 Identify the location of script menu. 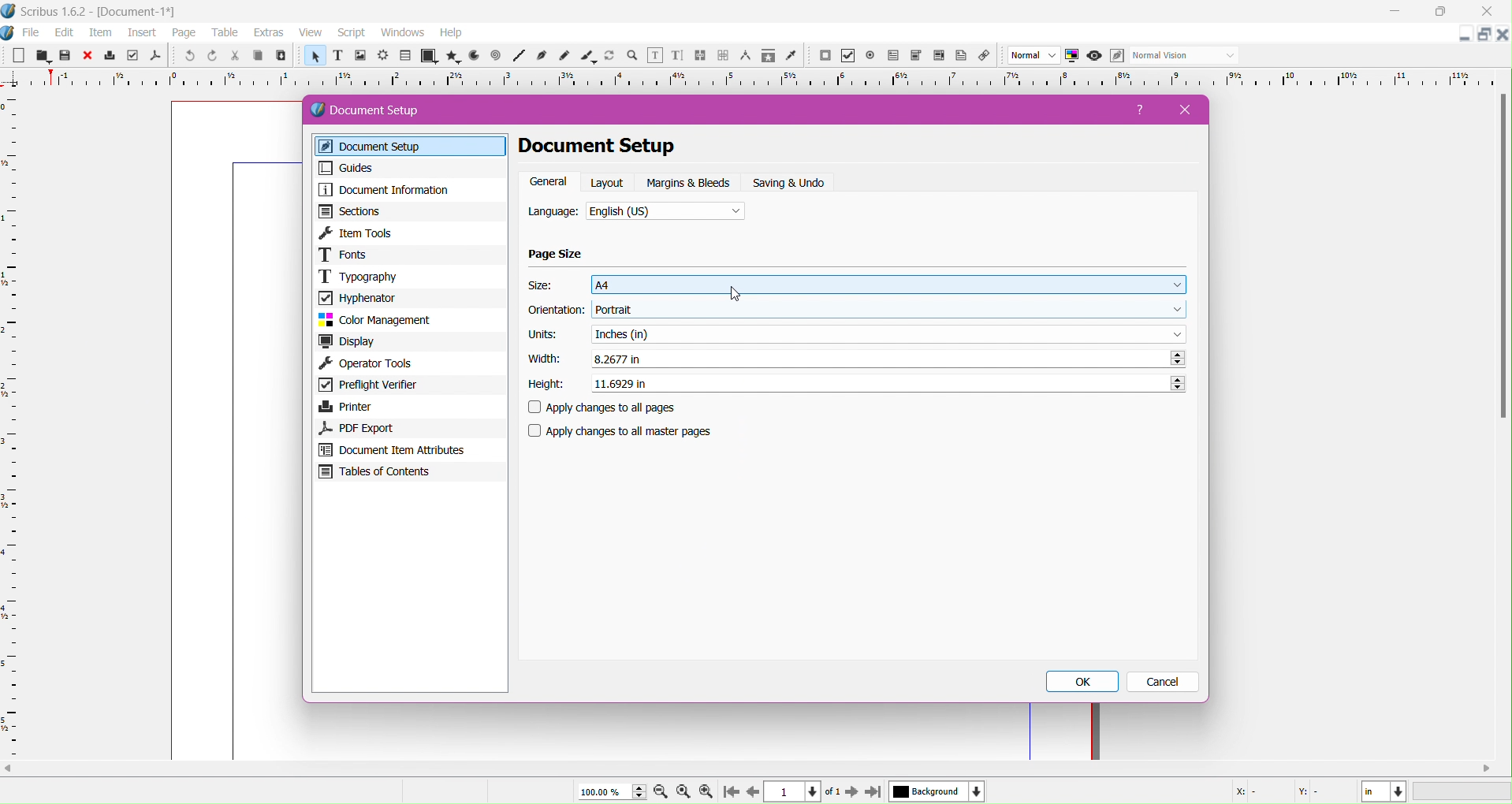
(353, 33).